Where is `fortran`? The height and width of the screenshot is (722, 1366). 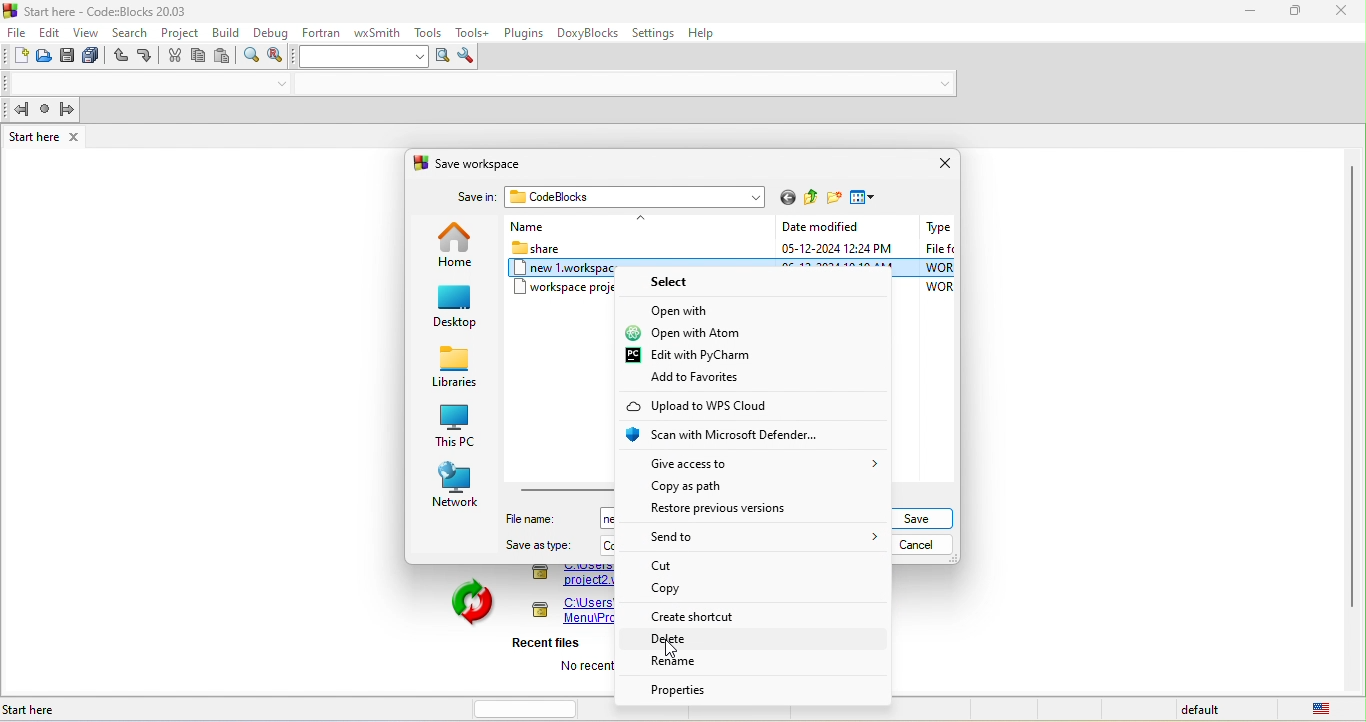
fortran is located at coordinates (321, 31).